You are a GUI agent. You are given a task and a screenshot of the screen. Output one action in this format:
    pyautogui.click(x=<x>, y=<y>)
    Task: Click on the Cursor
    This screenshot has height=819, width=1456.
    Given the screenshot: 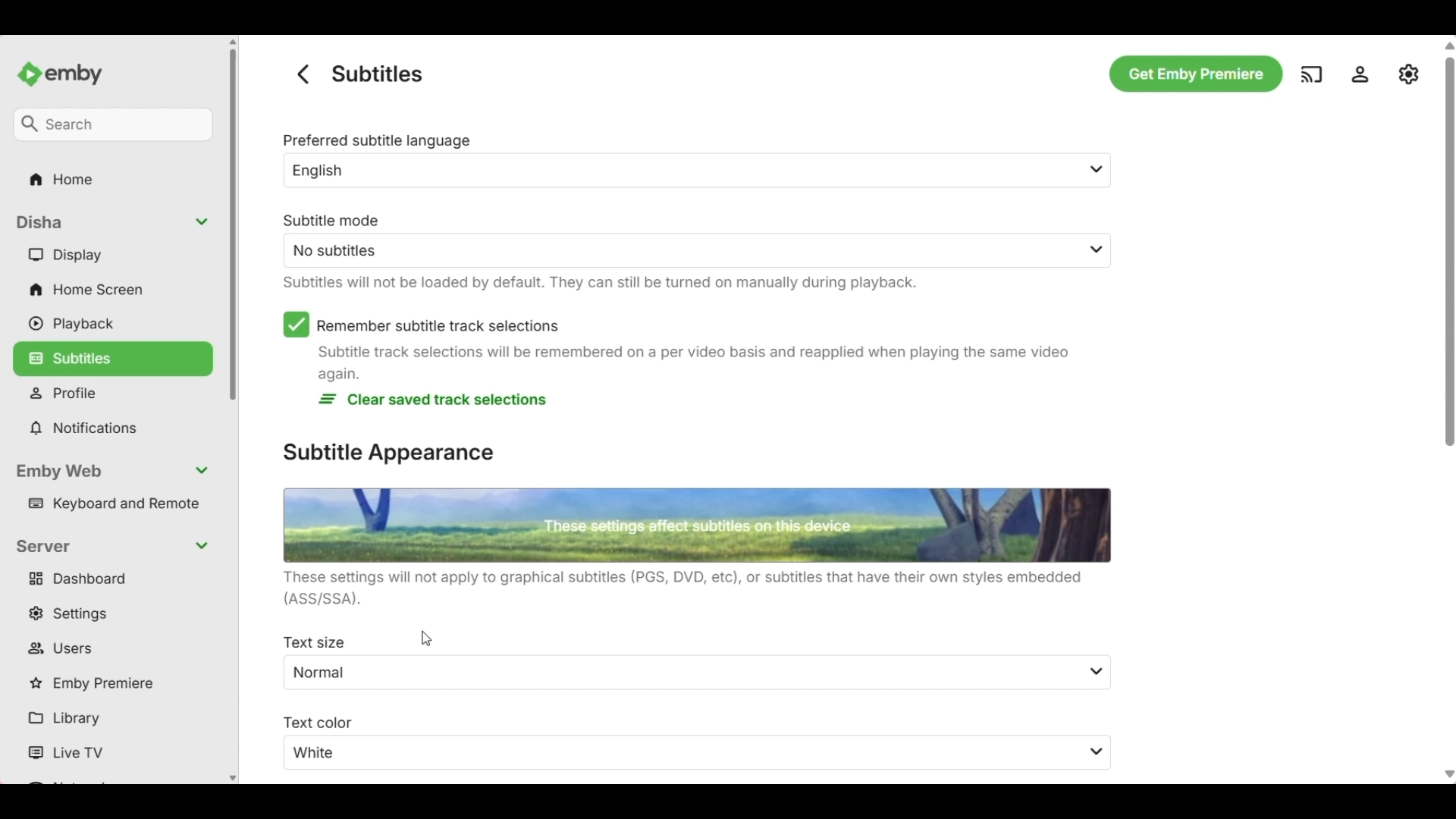 What is the action you would take?
    pyautogui.click(x=426, y=639)
    